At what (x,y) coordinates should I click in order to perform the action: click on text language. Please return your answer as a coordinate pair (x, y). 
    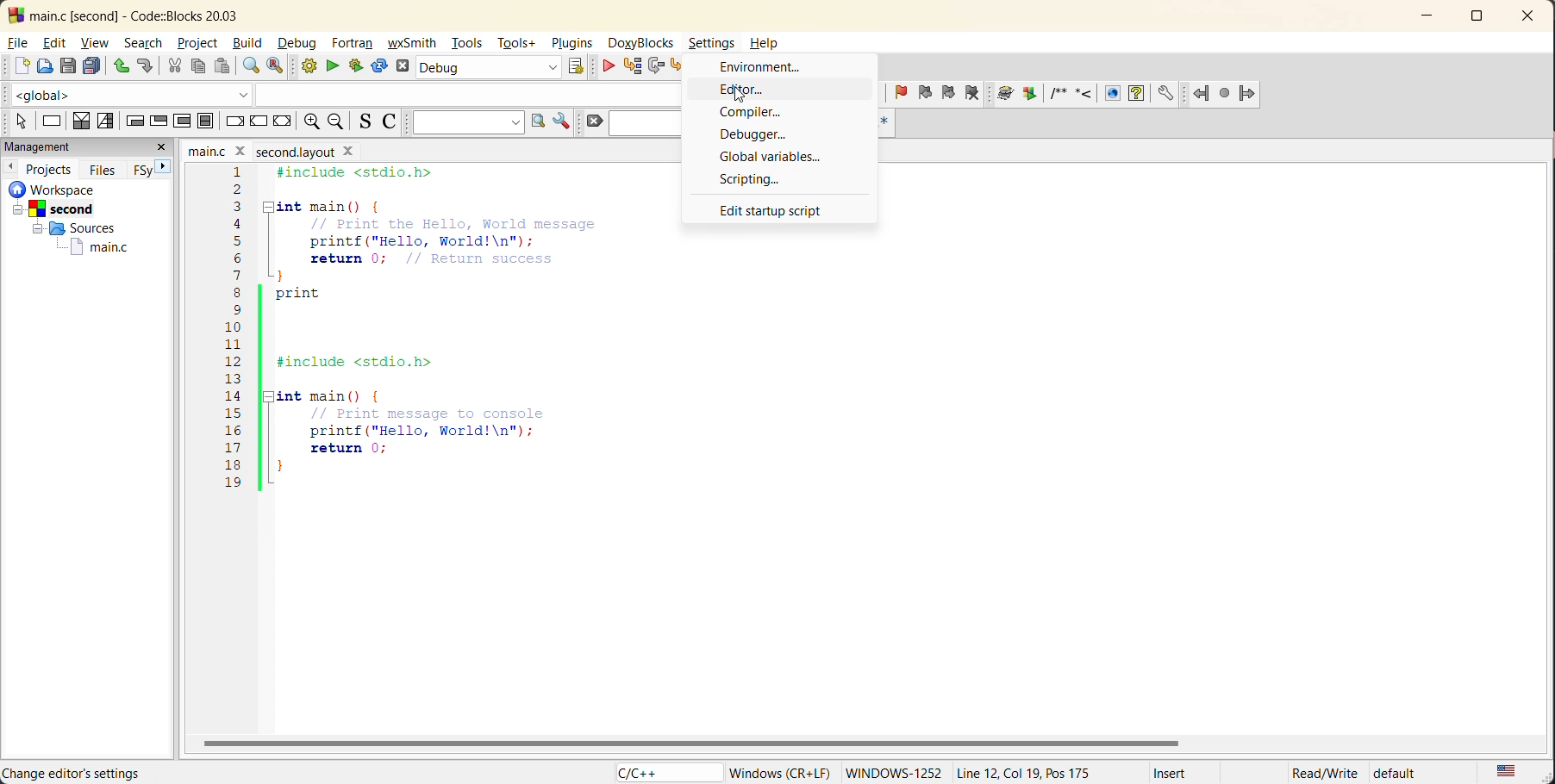
    Looking at the image, I should click on (1509, 770).